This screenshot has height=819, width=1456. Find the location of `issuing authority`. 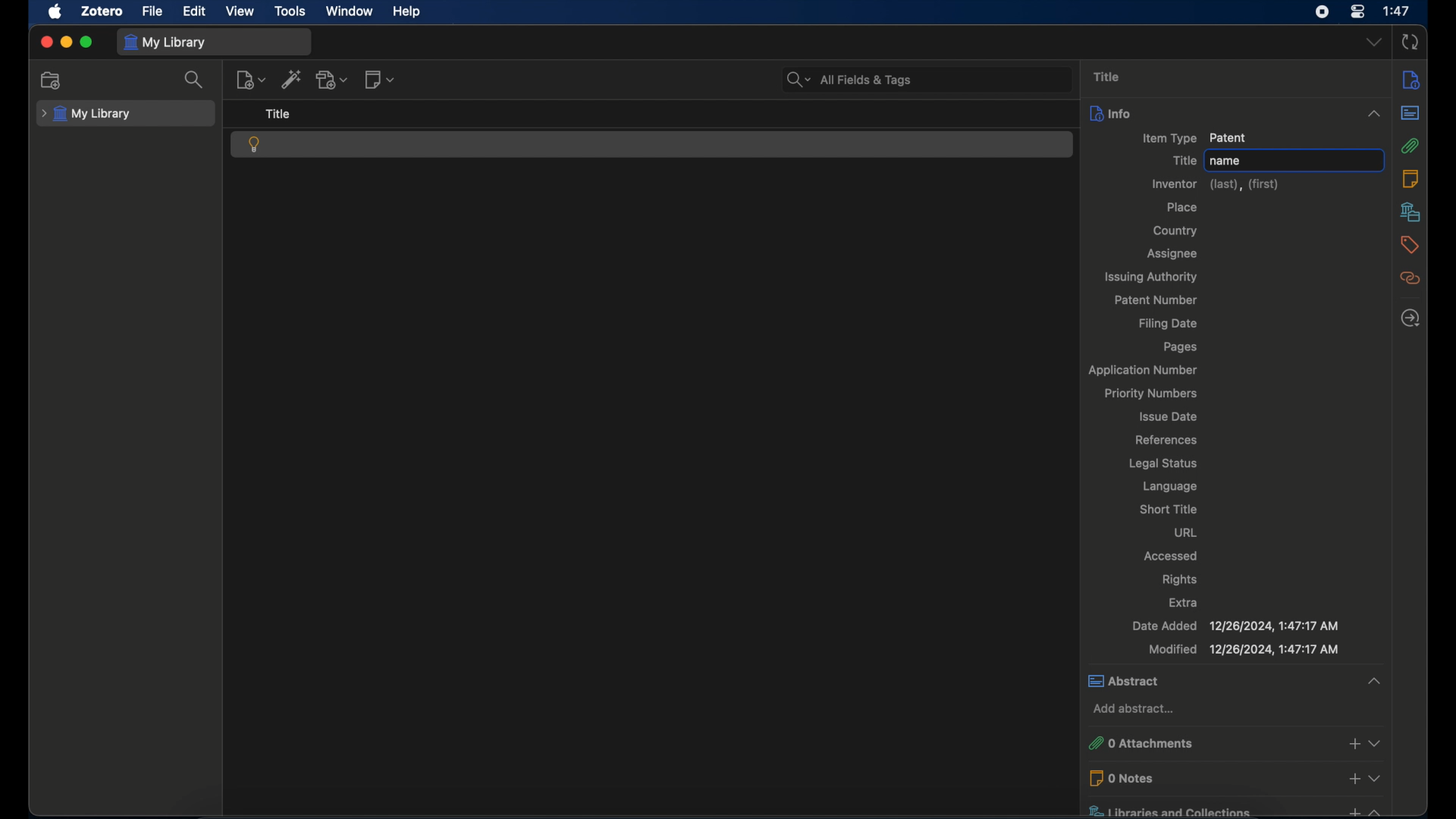

issuing authority is located at coordinates (1150, 277).